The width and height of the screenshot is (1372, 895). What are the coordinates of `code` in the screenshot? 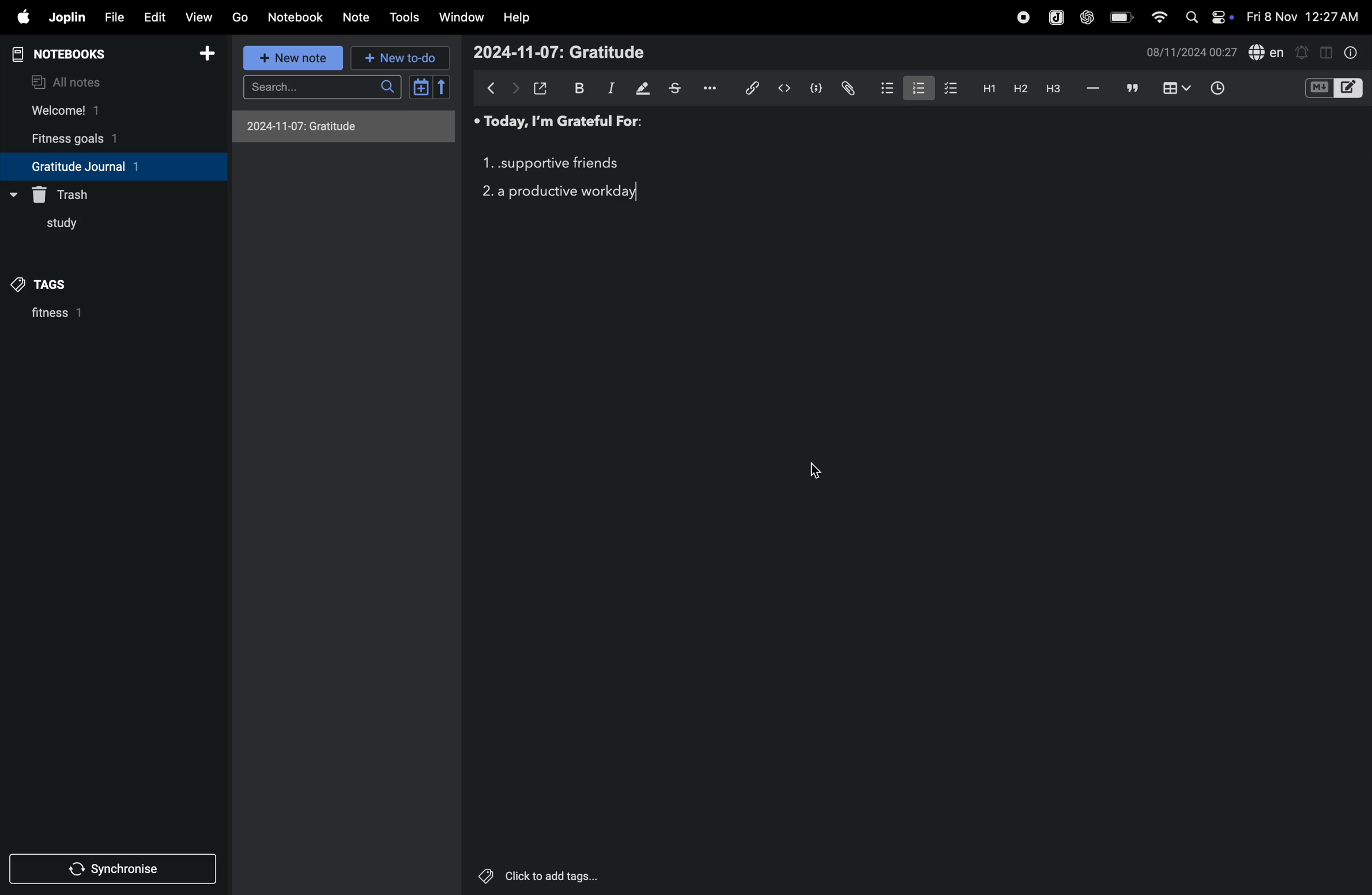 It's located at (813, 89).